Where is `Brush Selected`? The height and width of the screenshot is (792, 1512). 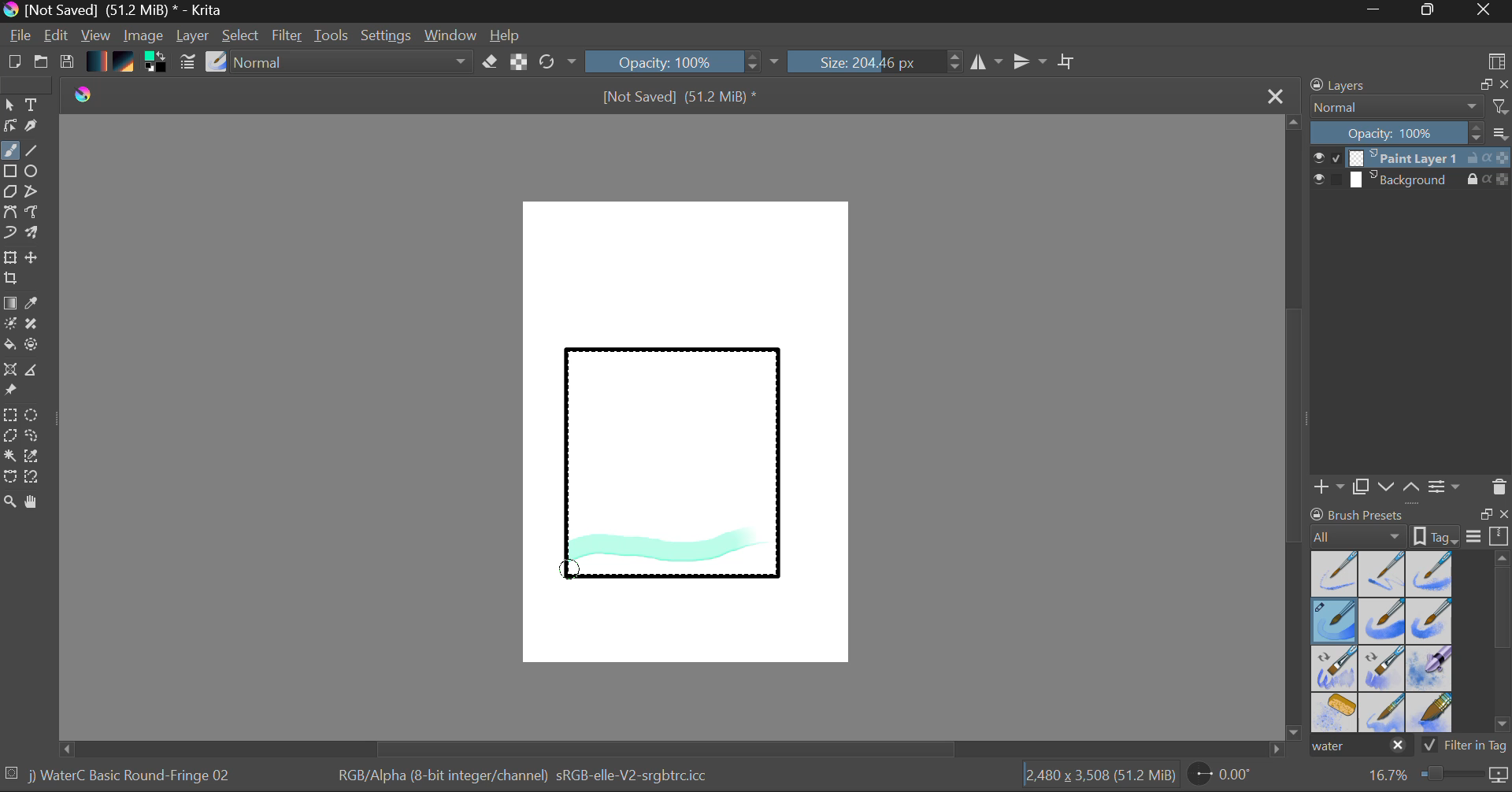 Brush Selected is located at coordinates (132, 777).